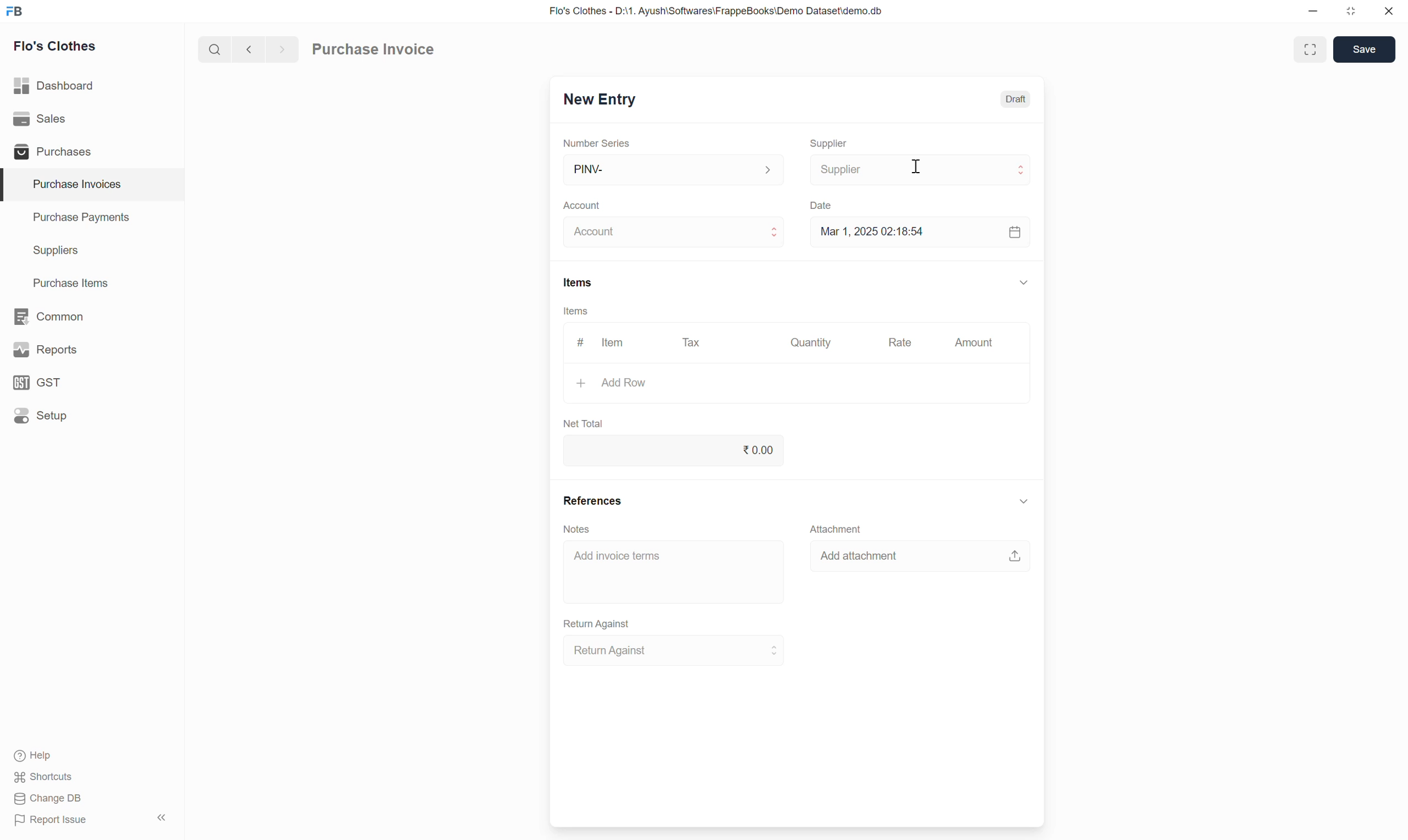  Describe the element at coordinates (581, 206) in the screenshot. I see `Account` at that location.